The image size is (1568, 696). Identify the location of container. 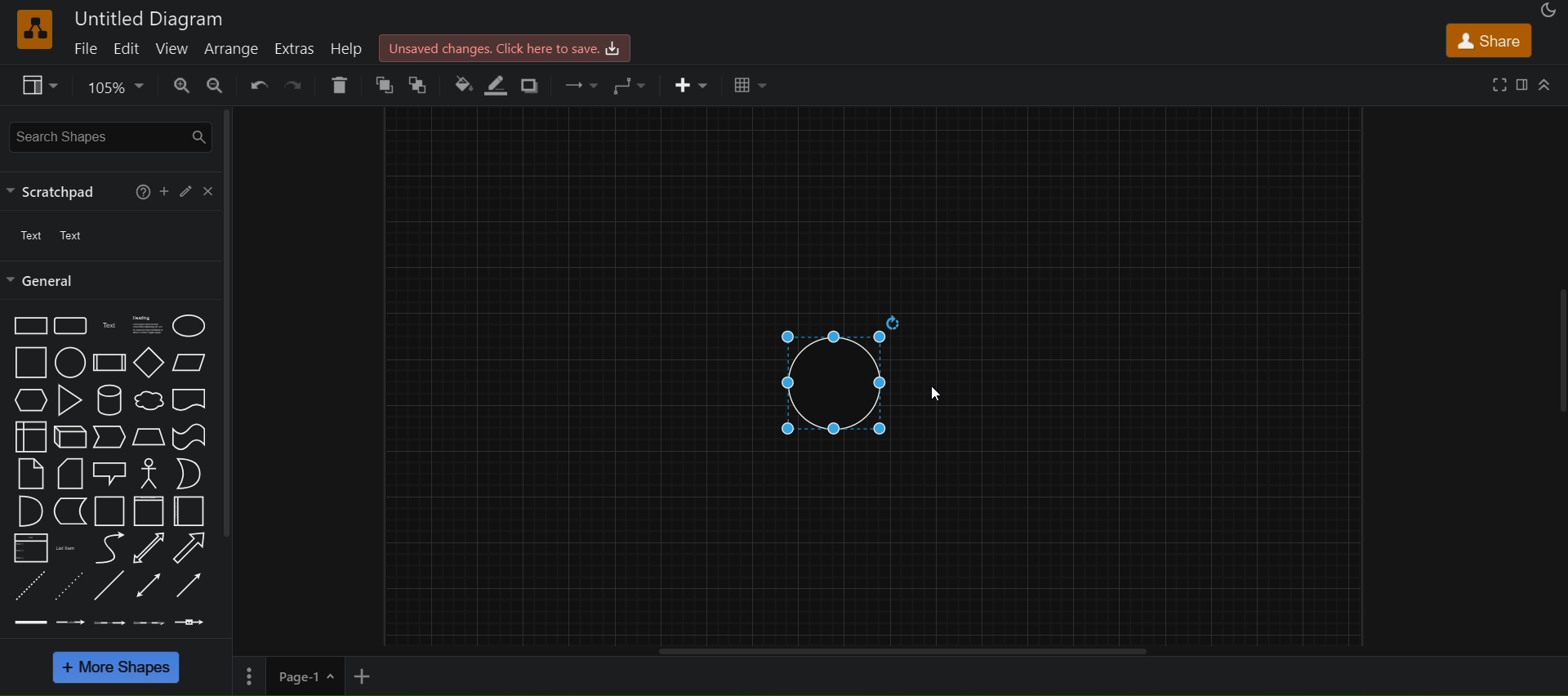
(107, 511).